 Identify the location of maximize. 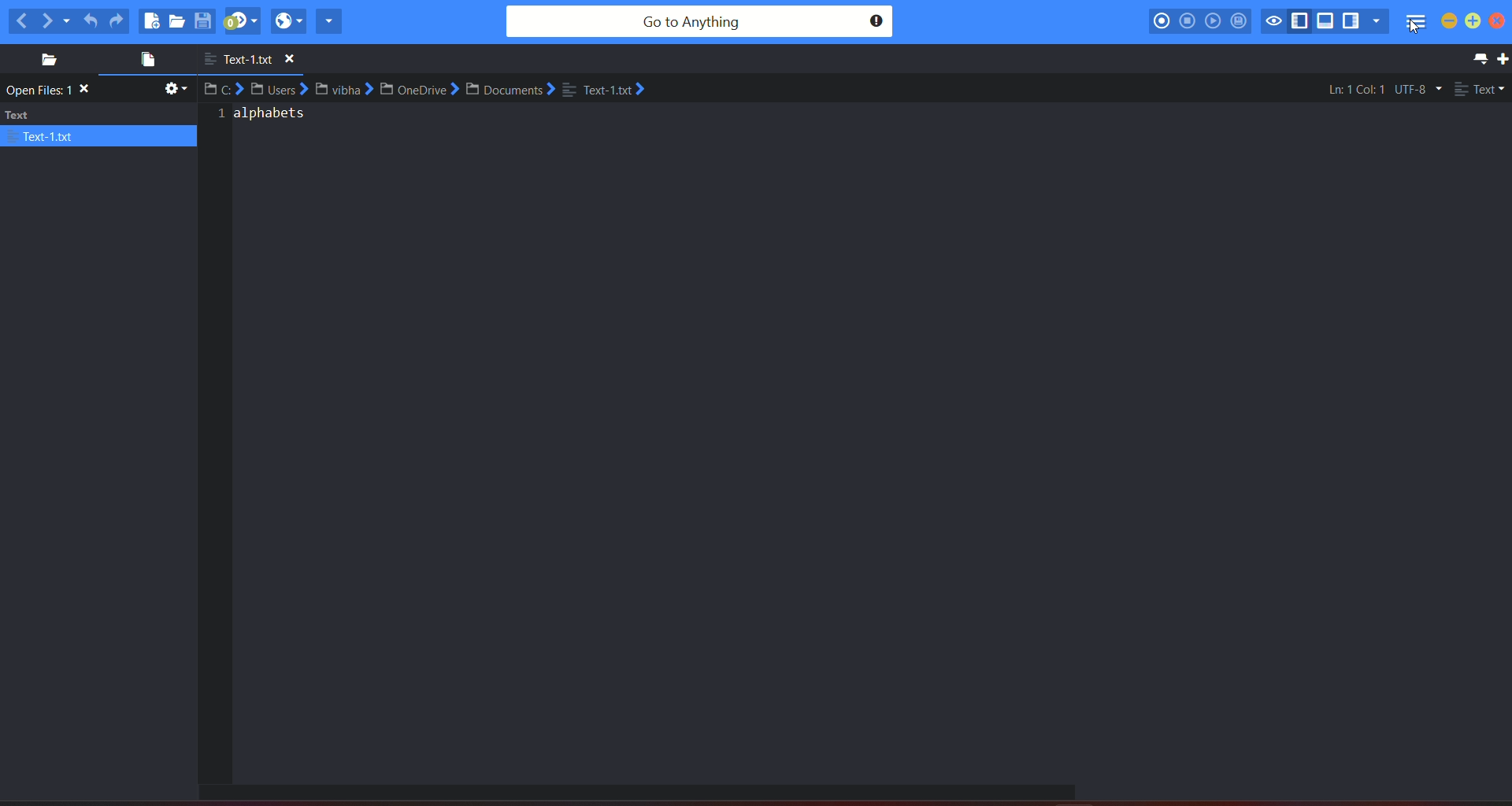
(1473, 21).